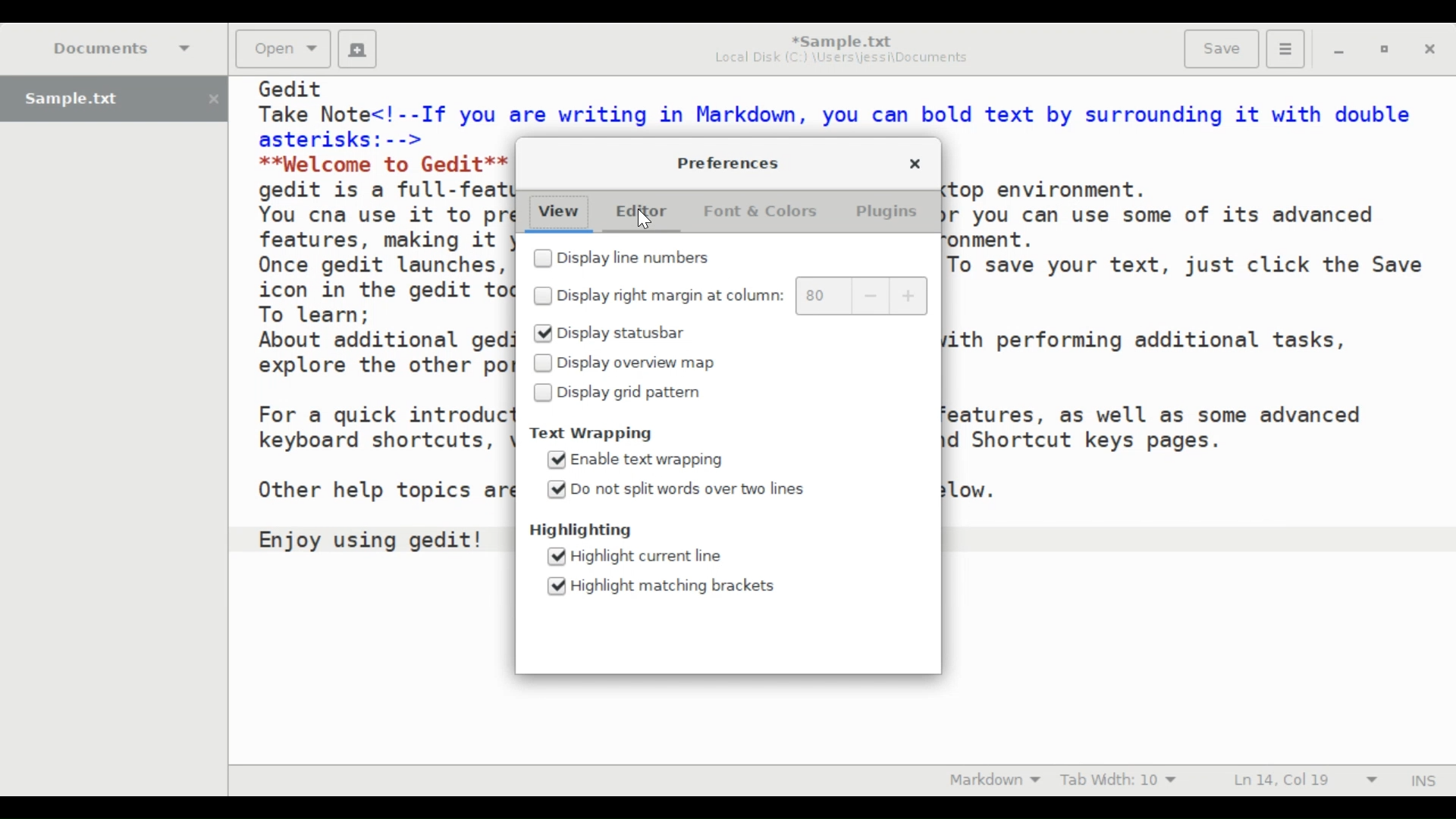 The height and width of the screenshot is (819, 1456). I want to click on Editor, so click(648, 213).